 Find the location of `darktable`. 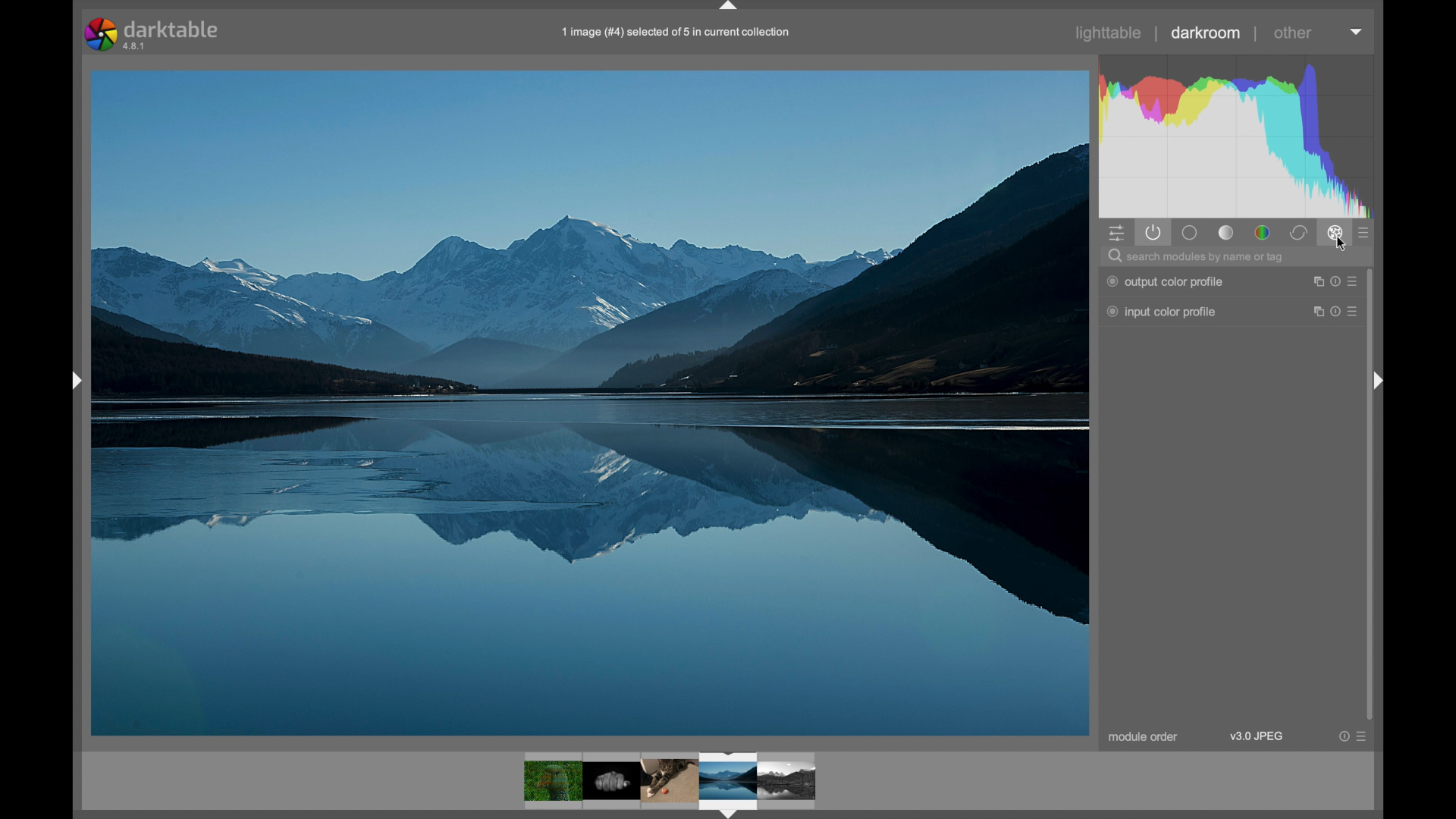

darktable is located at coordinates (151, 33).